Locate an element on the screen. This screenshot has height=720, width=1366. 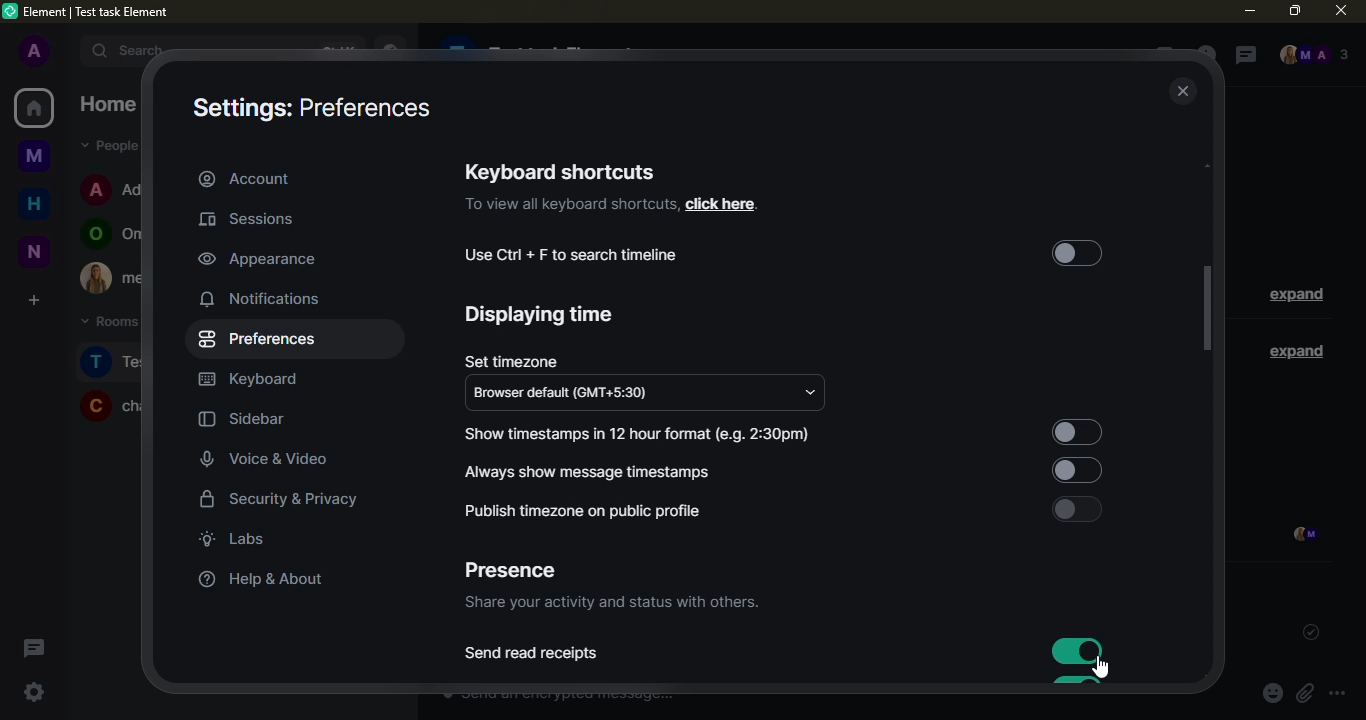
home is located at coordinates (34, 108).